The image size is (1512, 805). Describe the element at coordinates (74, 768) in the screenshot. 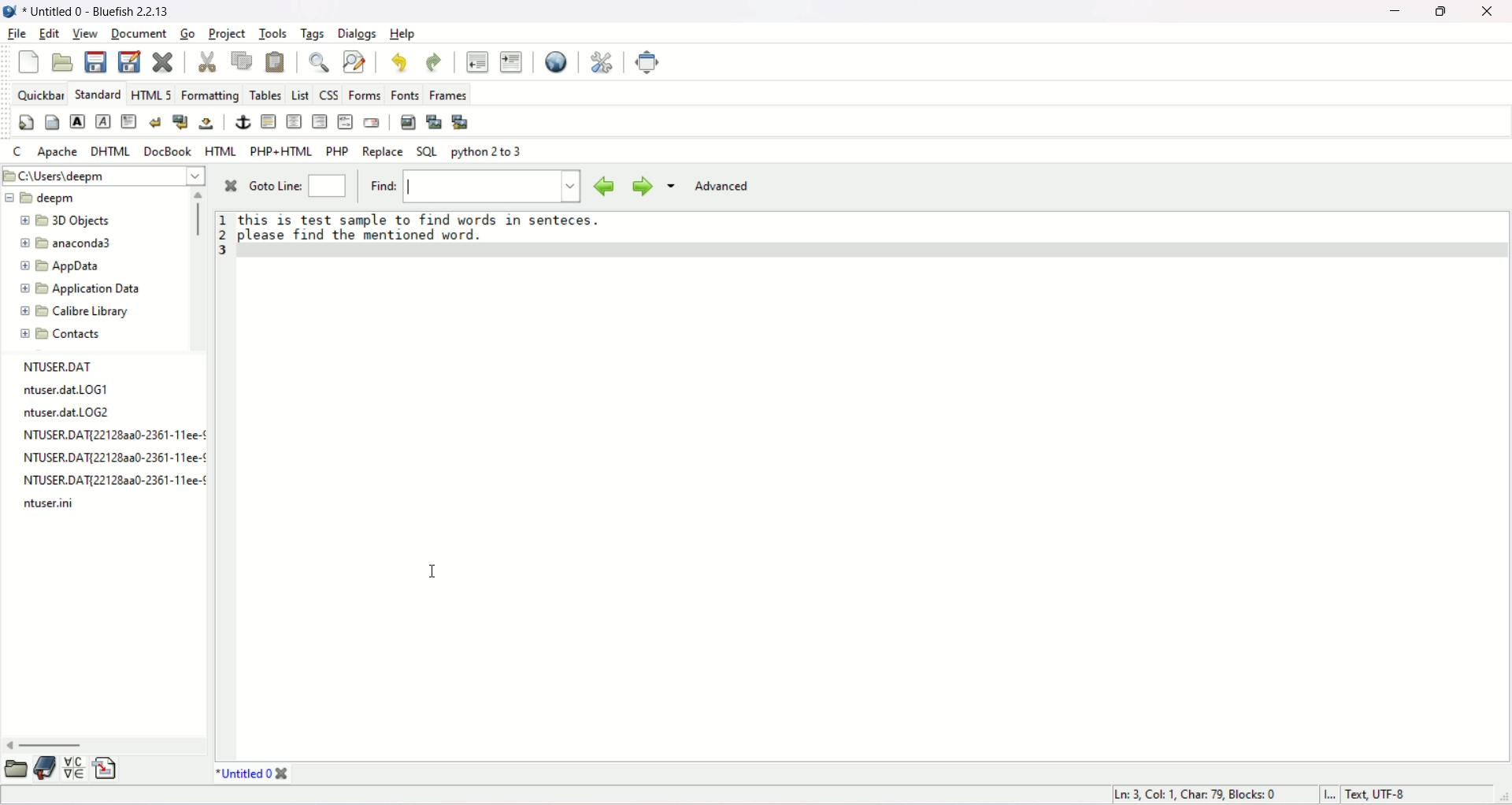

I see `insert special character` at that location.